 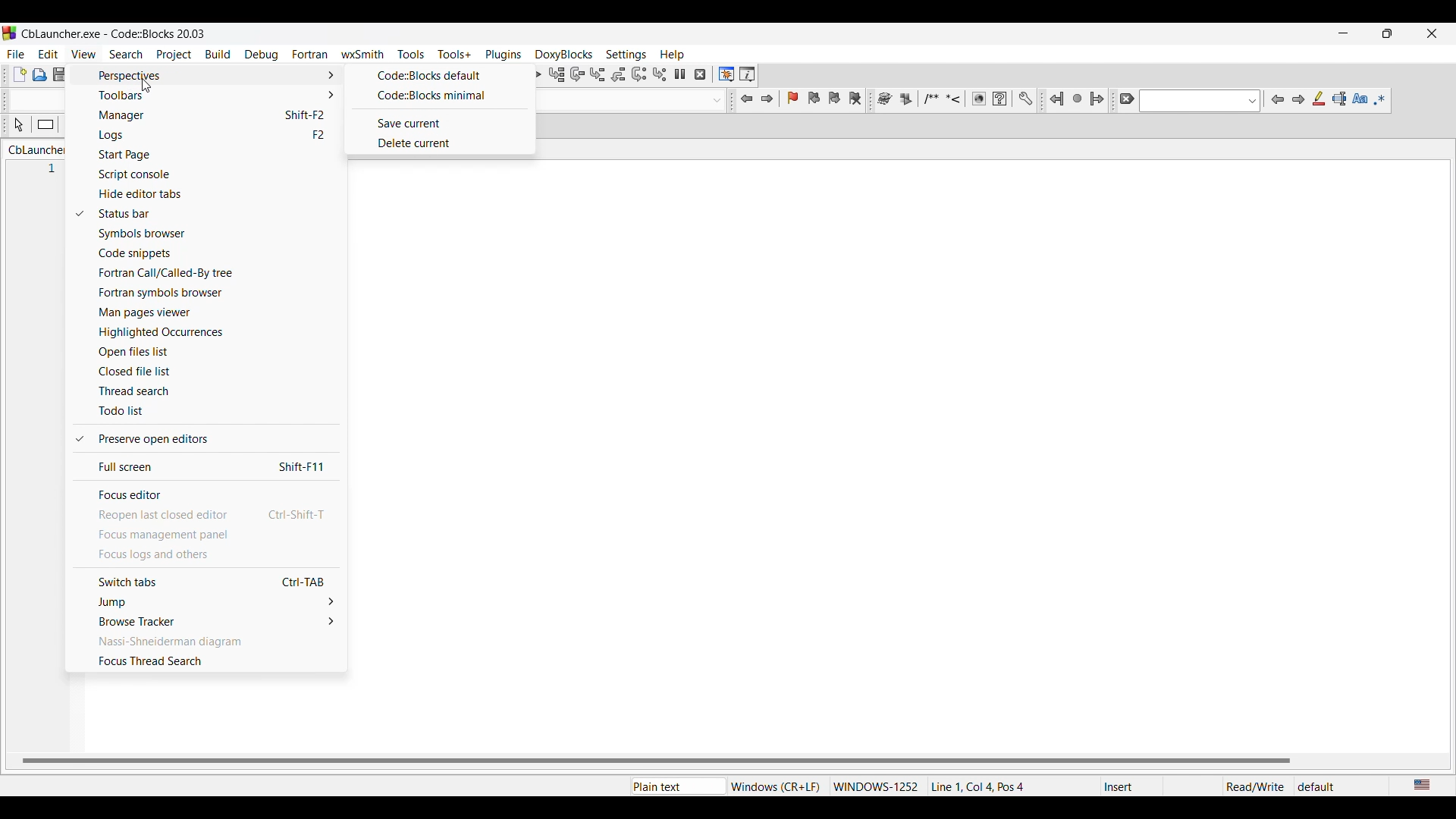 What do you see at coordinates (363, 54) in the screenshot?
I see `wxSmith menu` at bounding box center [363, 54].